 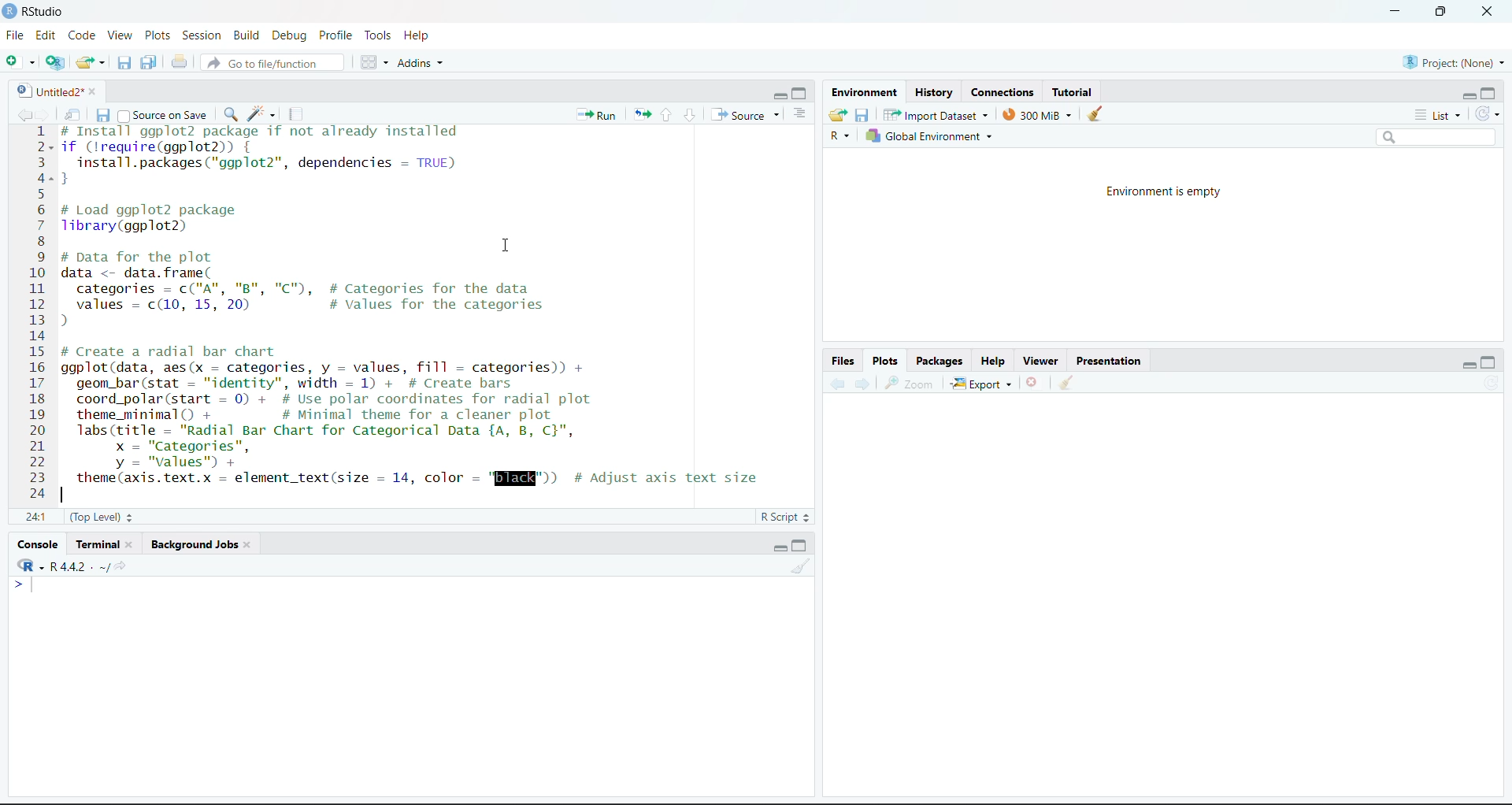 What do you see at coordinates (597, 114) in the screenshot?
I see ` Run` at bounding box center [597, 114].